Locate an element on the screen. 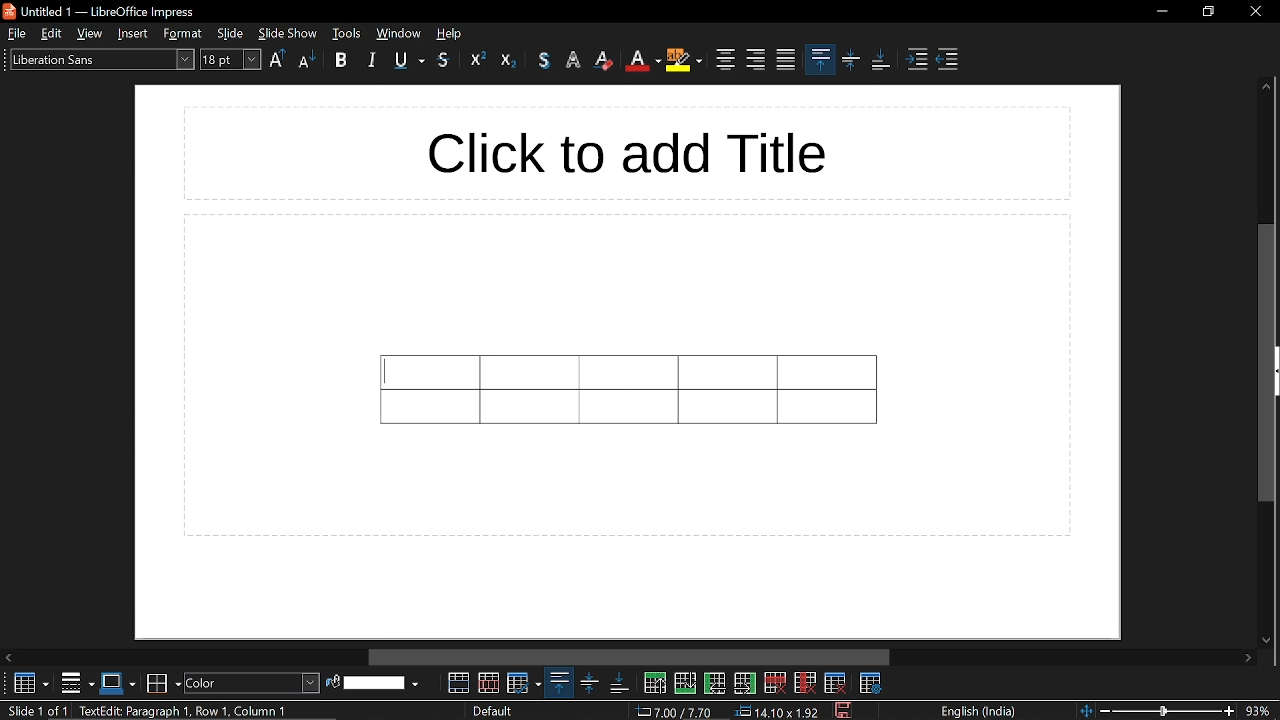  text style is located at coordinates (101, 60).